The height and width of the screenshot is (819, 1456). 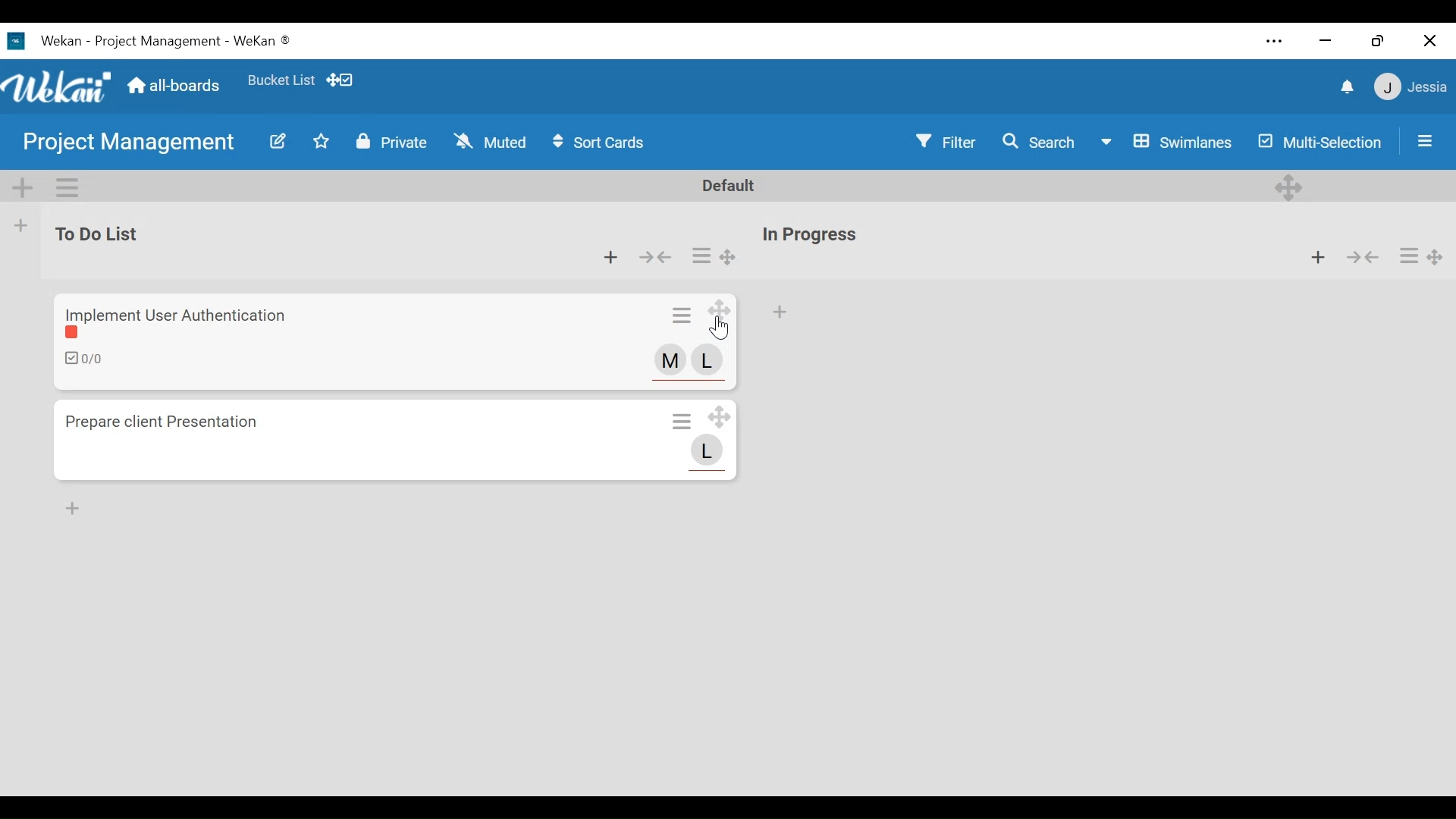 What do you see at coordinates (1286, 187) in the screenshot?
I see `Desktop drag handles` at bounding box center [1286, 187].